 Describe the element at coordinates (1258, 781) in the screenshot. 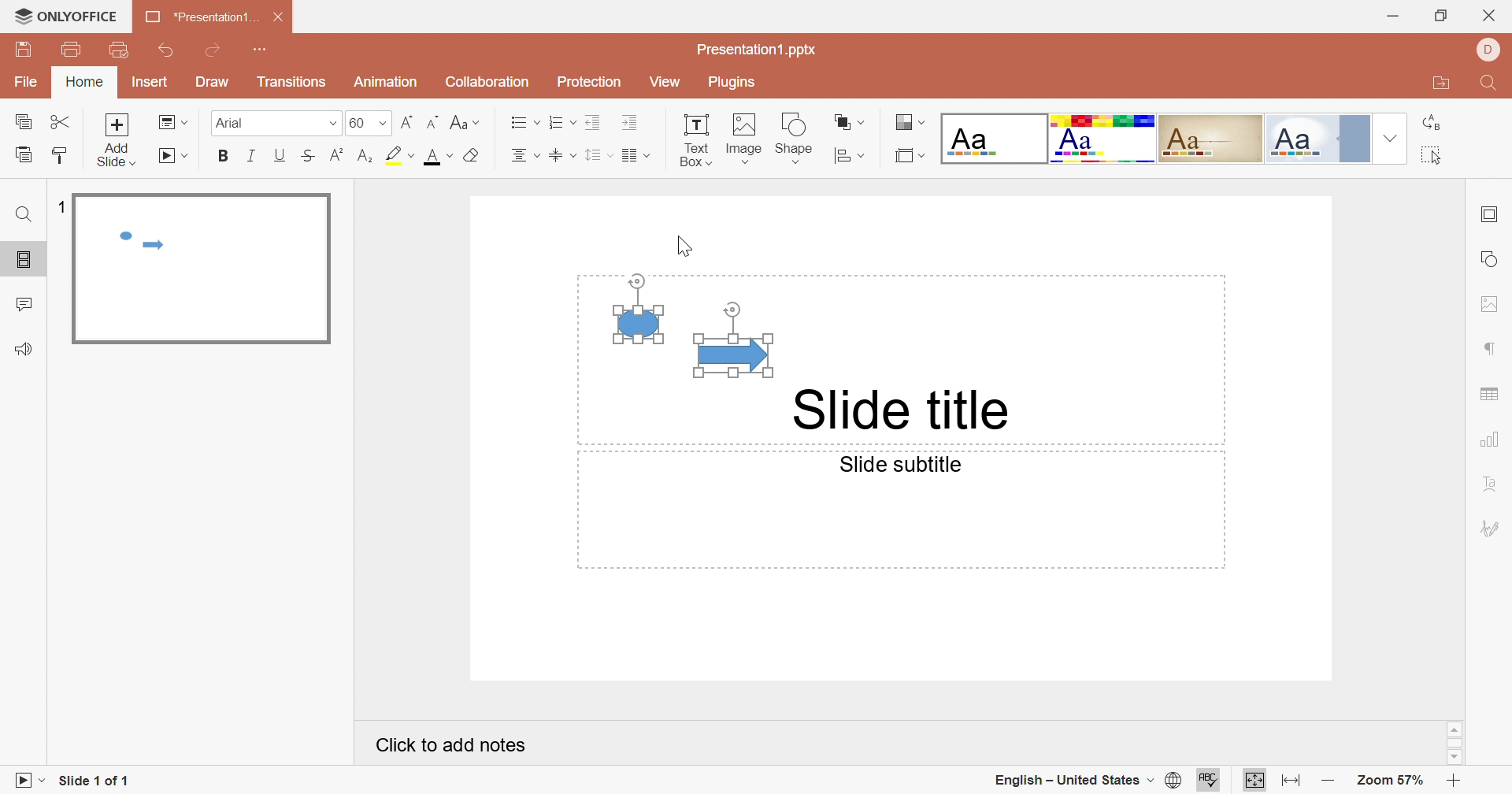

I see `Fit to slide` at that location.